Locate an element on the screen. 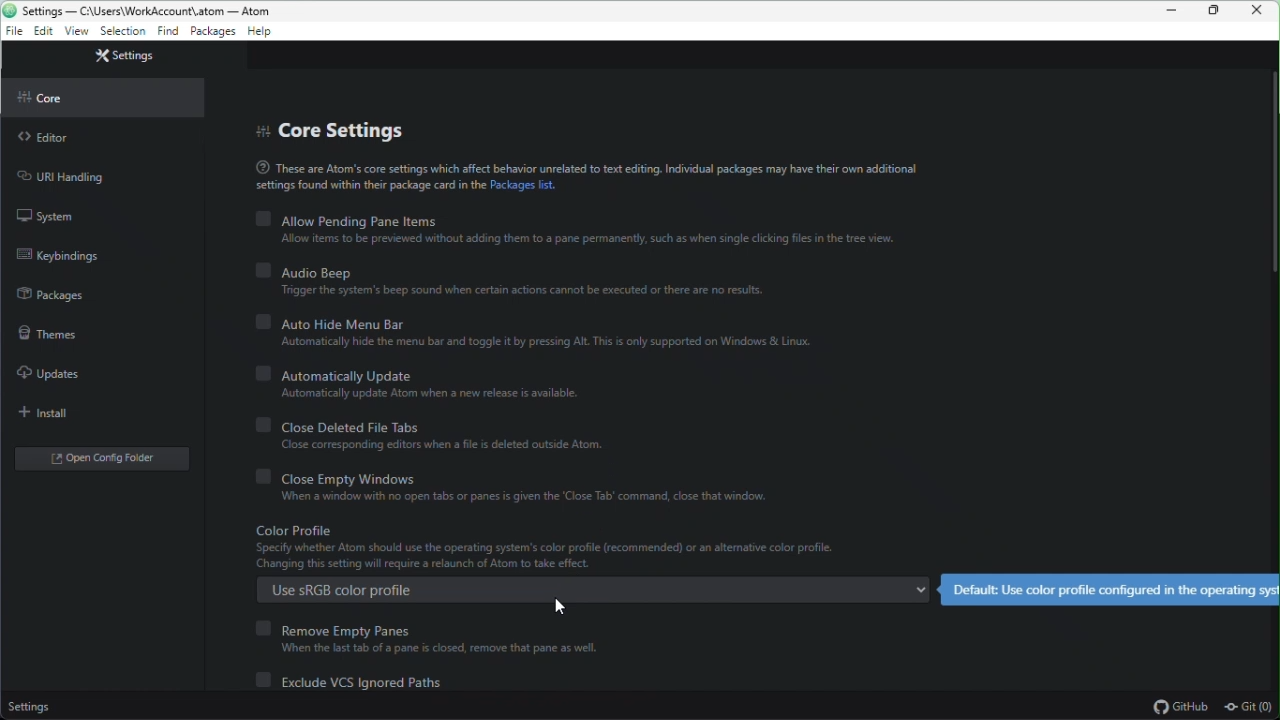 Image resolution: width=1280 pixels, height=720 pixels. help is located at coordinates (261, 33).